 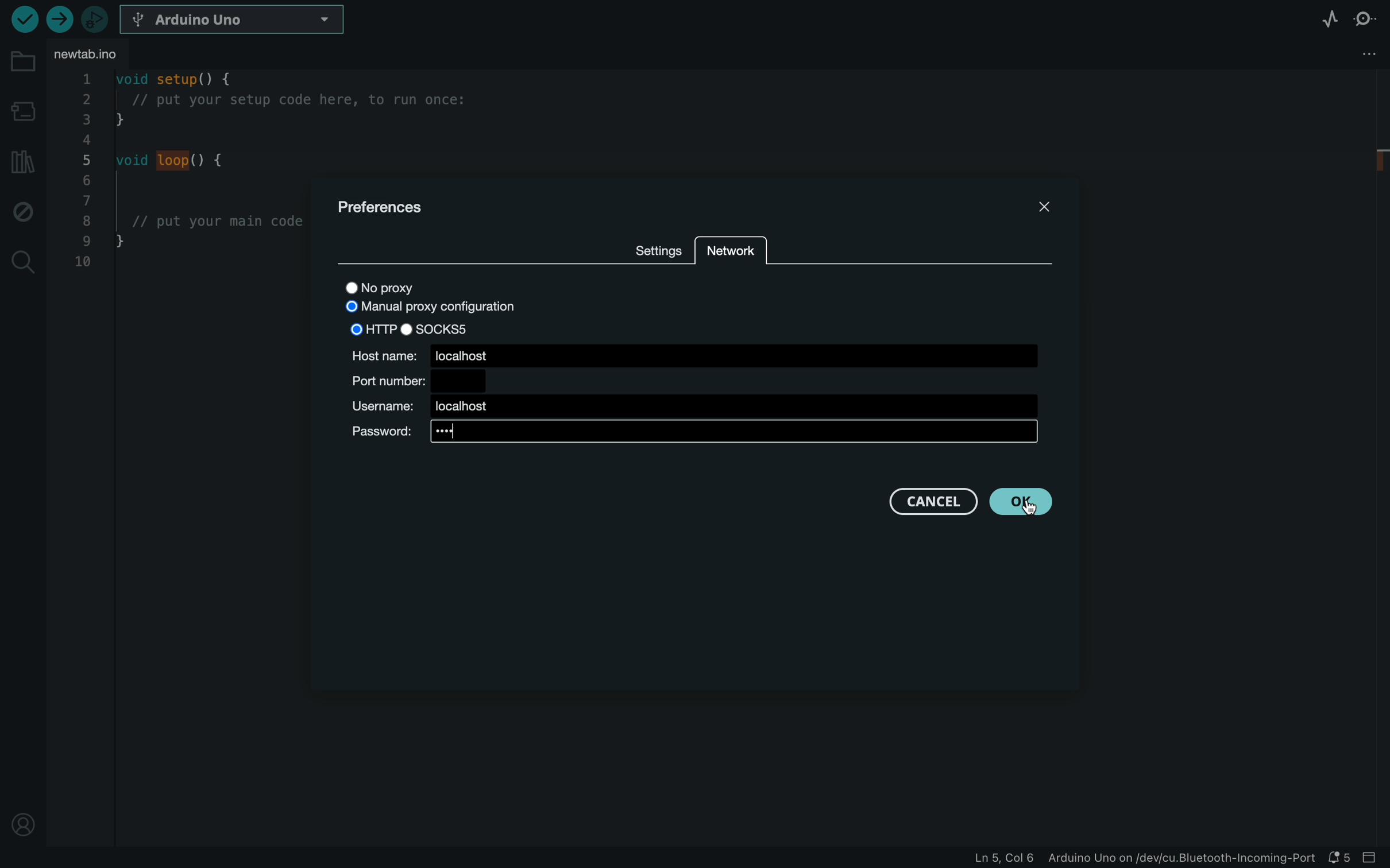 What do you see at coordinates (1328, 18) in the screenshot?
I see `serial plotter` at bounding box center [1328, 18].